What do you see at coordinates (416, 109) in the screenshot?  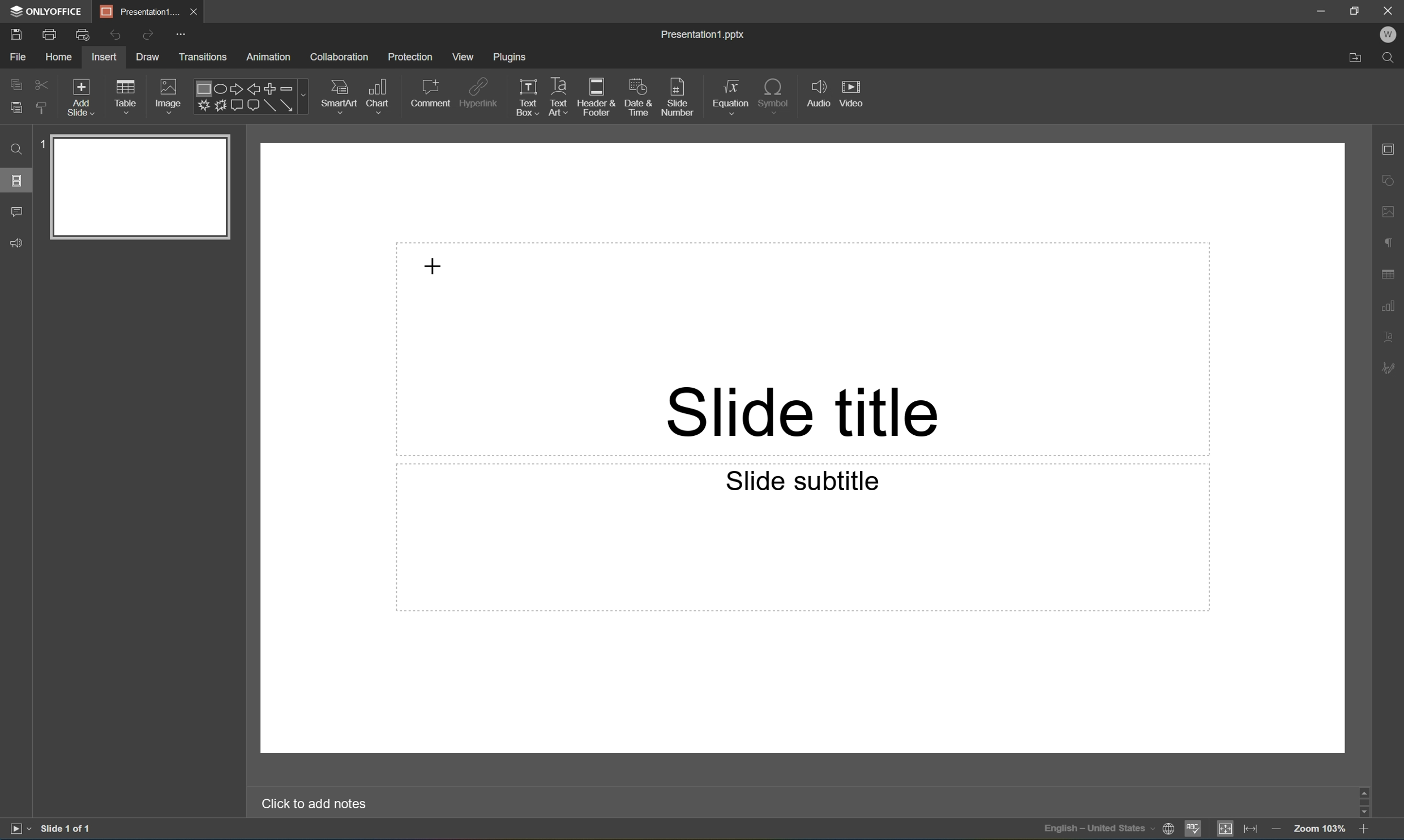 I see `Line spacing` at bounding box center [416, 109].